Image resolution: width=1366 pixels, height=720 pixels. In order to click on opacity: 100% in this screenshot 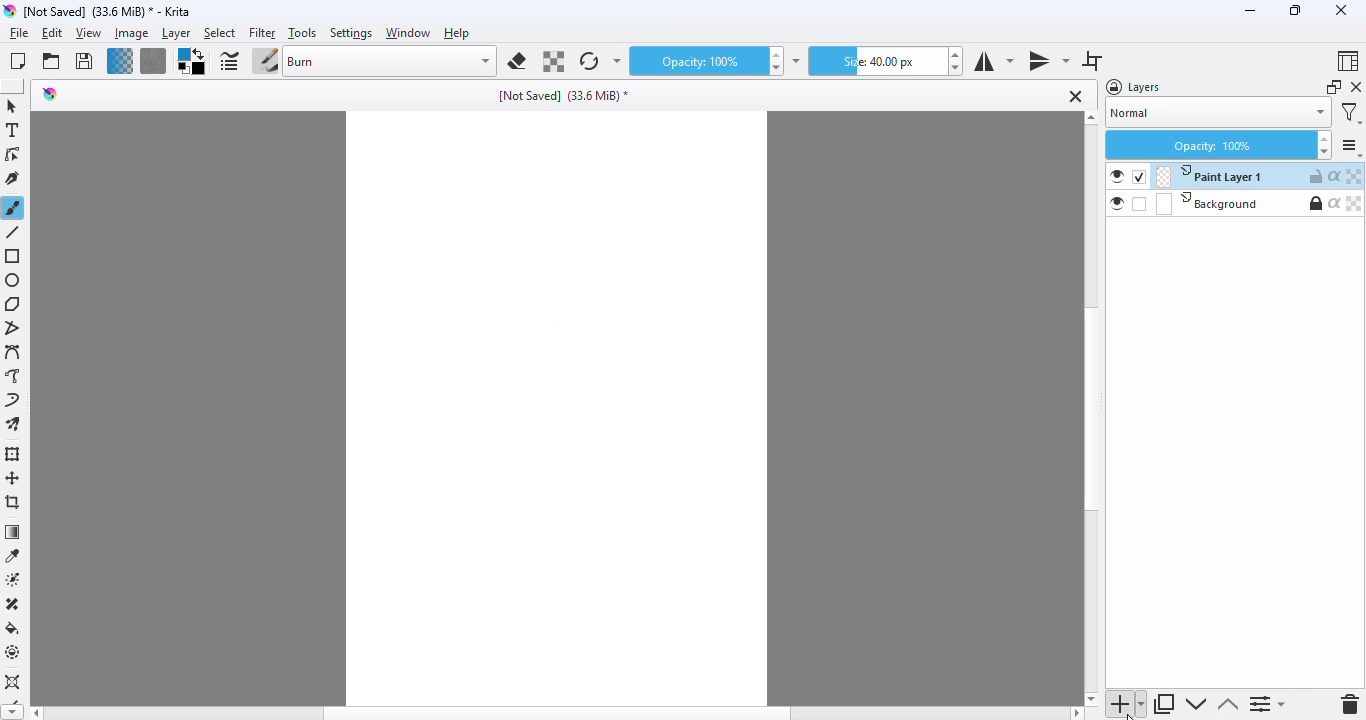, I will do `click(1218, 145)`.